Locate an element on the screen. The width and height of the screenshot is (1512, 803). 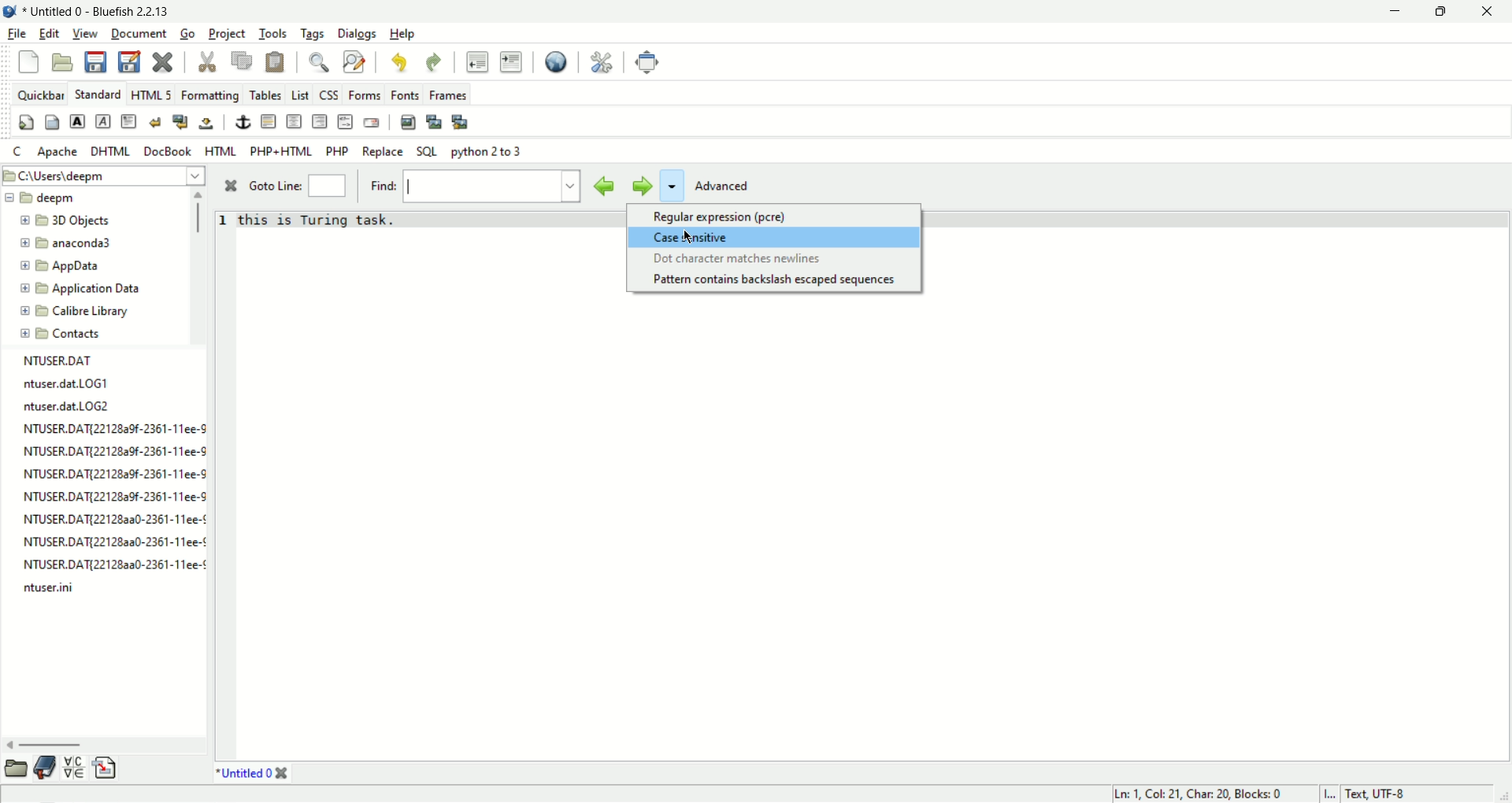
close is located at coordinates (234, 187).